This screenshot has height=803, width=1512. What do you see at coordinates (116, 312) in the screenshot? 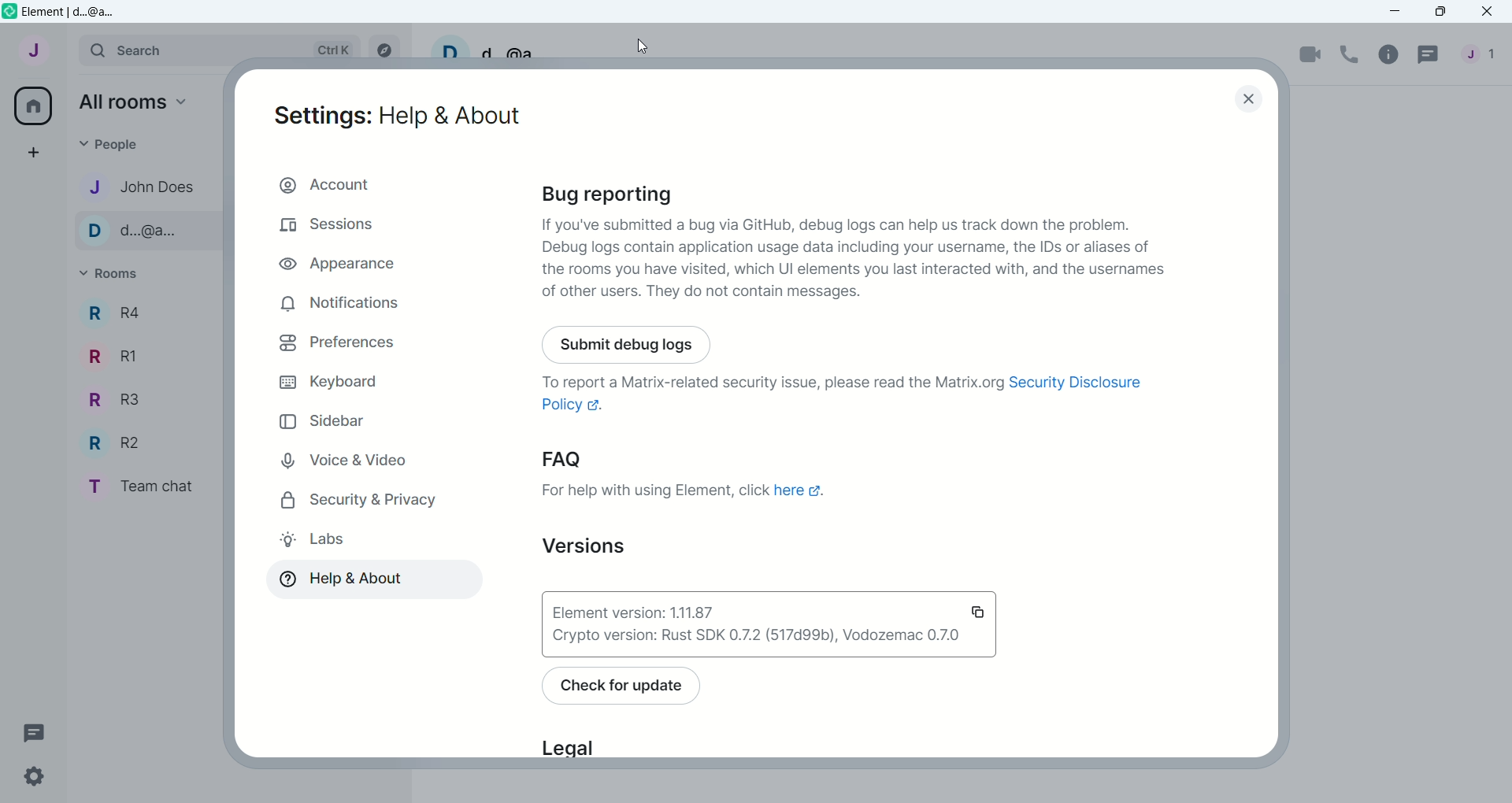
I see `Room R4` at bounding box center [116, 312].